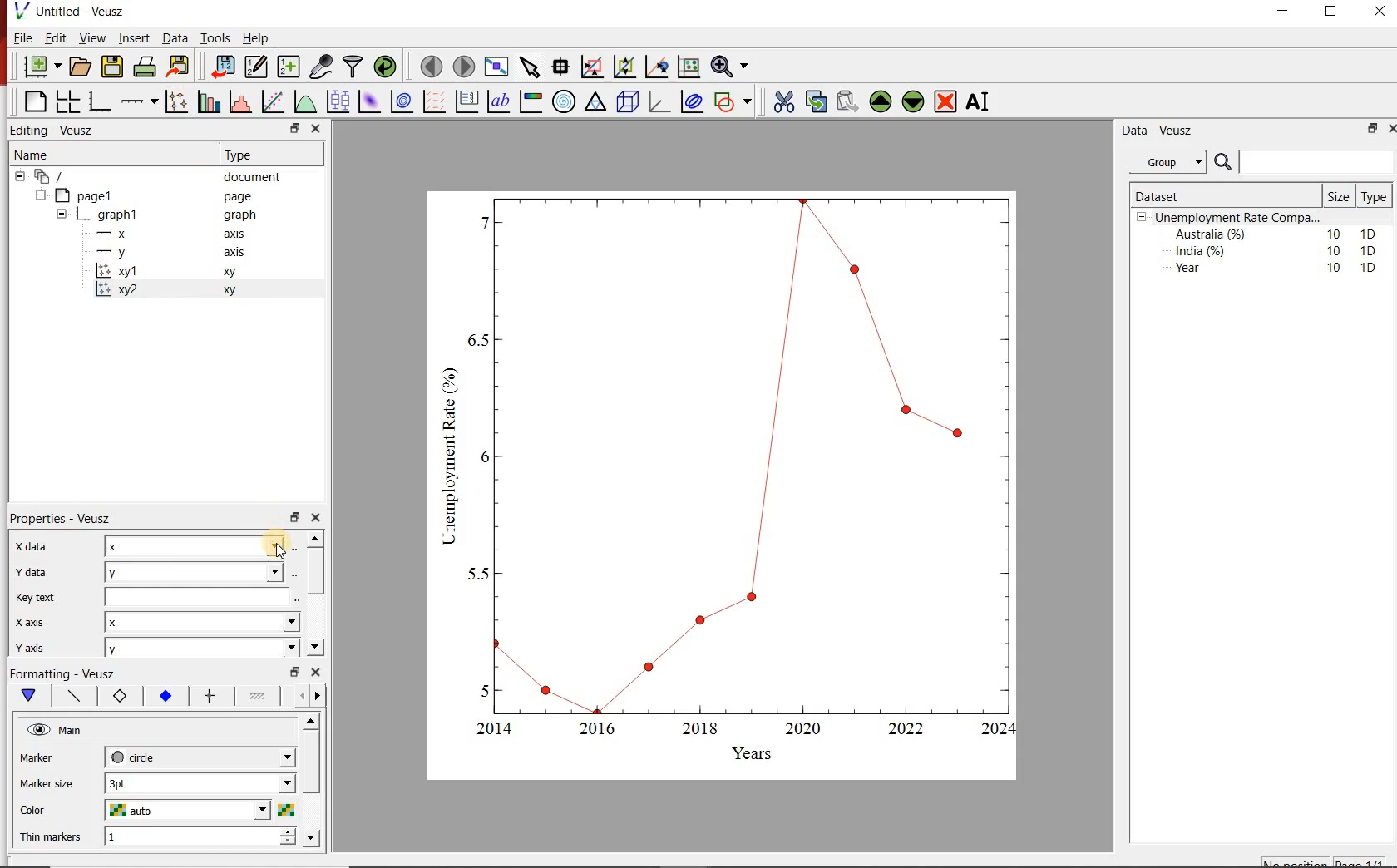  What do you see at coordinates (285, 810) in the screenshot?
I see `choose color` at bounding box center [285, 810].